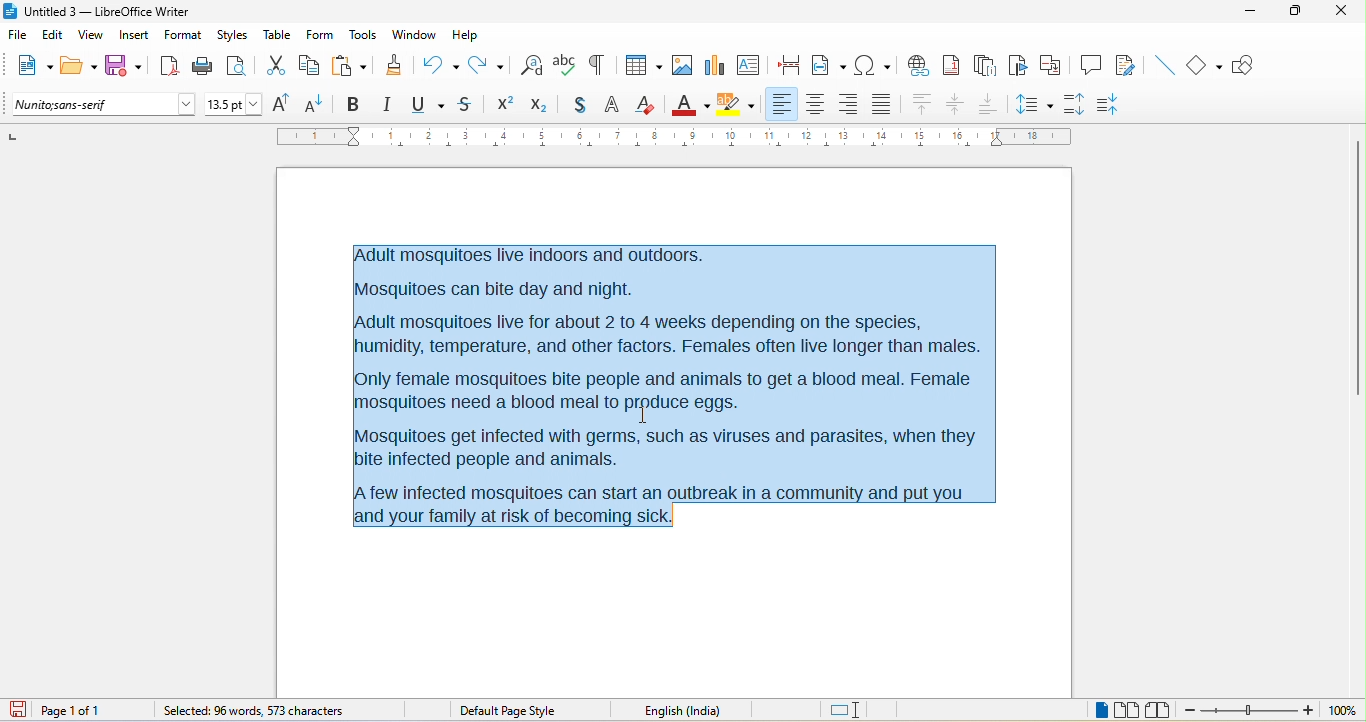  What do you see at coordinates (921, 105) in the screenshot?
I see `align top` at bounding box center [921, 105].